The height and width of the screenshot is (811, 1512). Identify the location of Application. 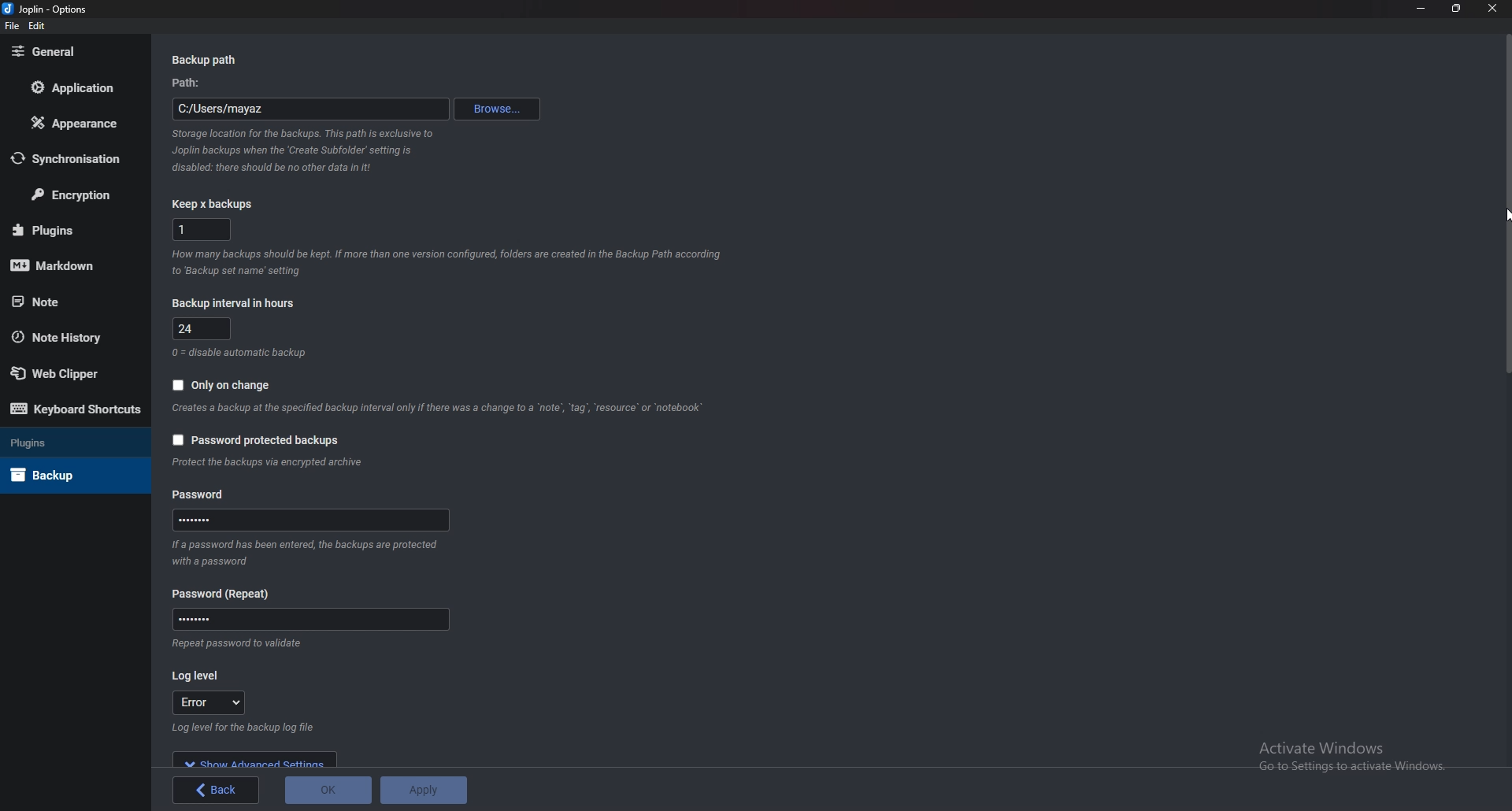
(75, 87).